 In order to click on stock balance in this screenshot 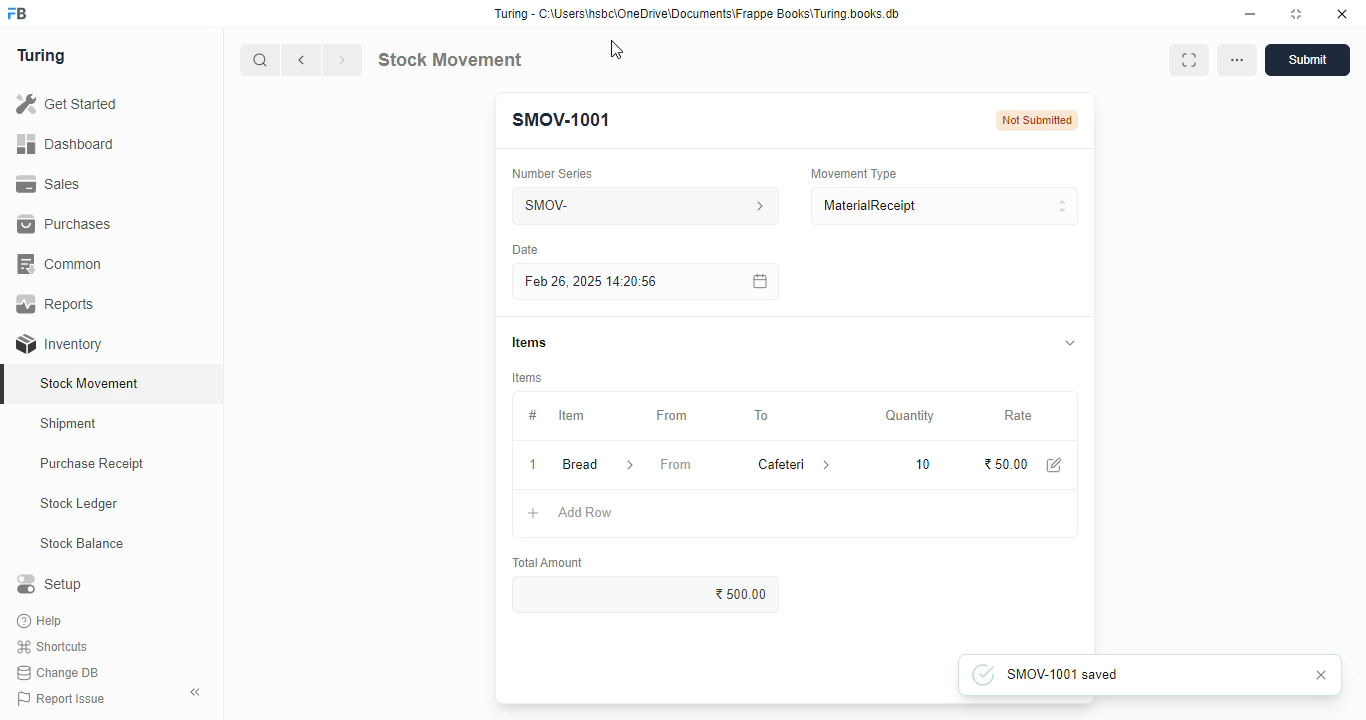, I will do `click(83, 544)`.